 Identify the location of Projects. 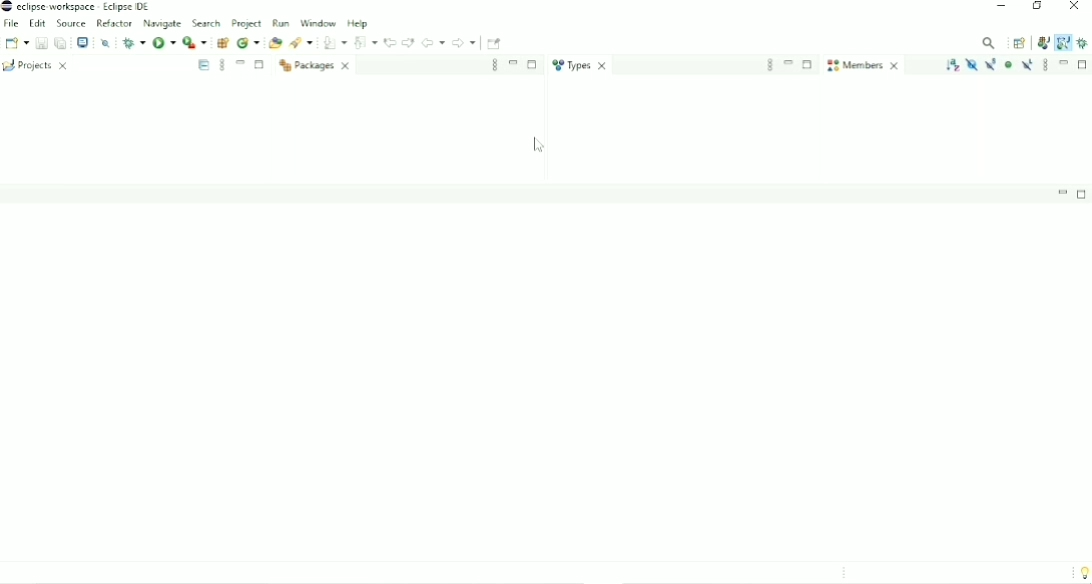
(41, 65).